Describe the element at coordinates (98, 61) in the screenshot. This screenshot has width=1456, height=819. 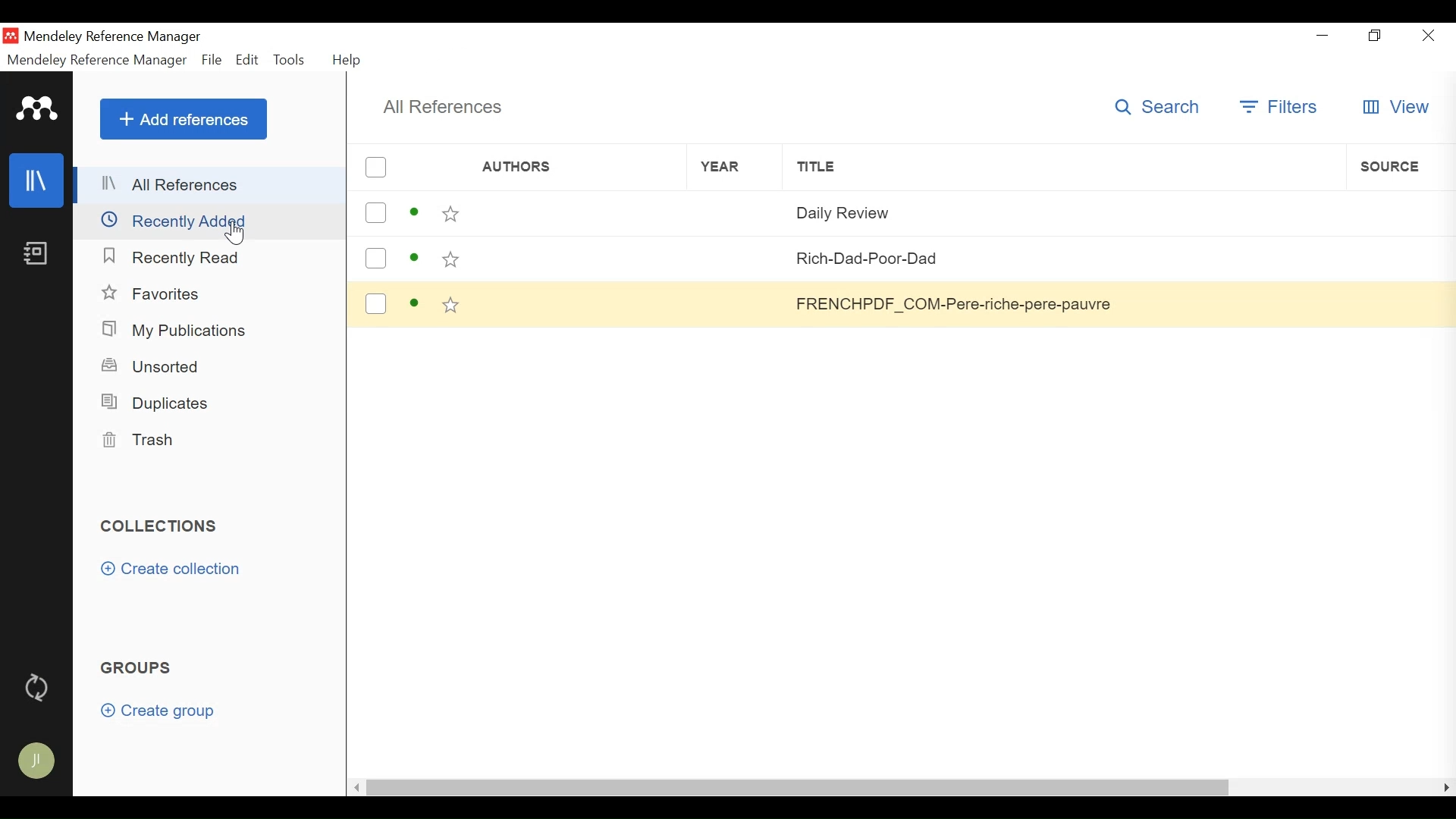
I see `Mendeley Reference Manager` at that location.